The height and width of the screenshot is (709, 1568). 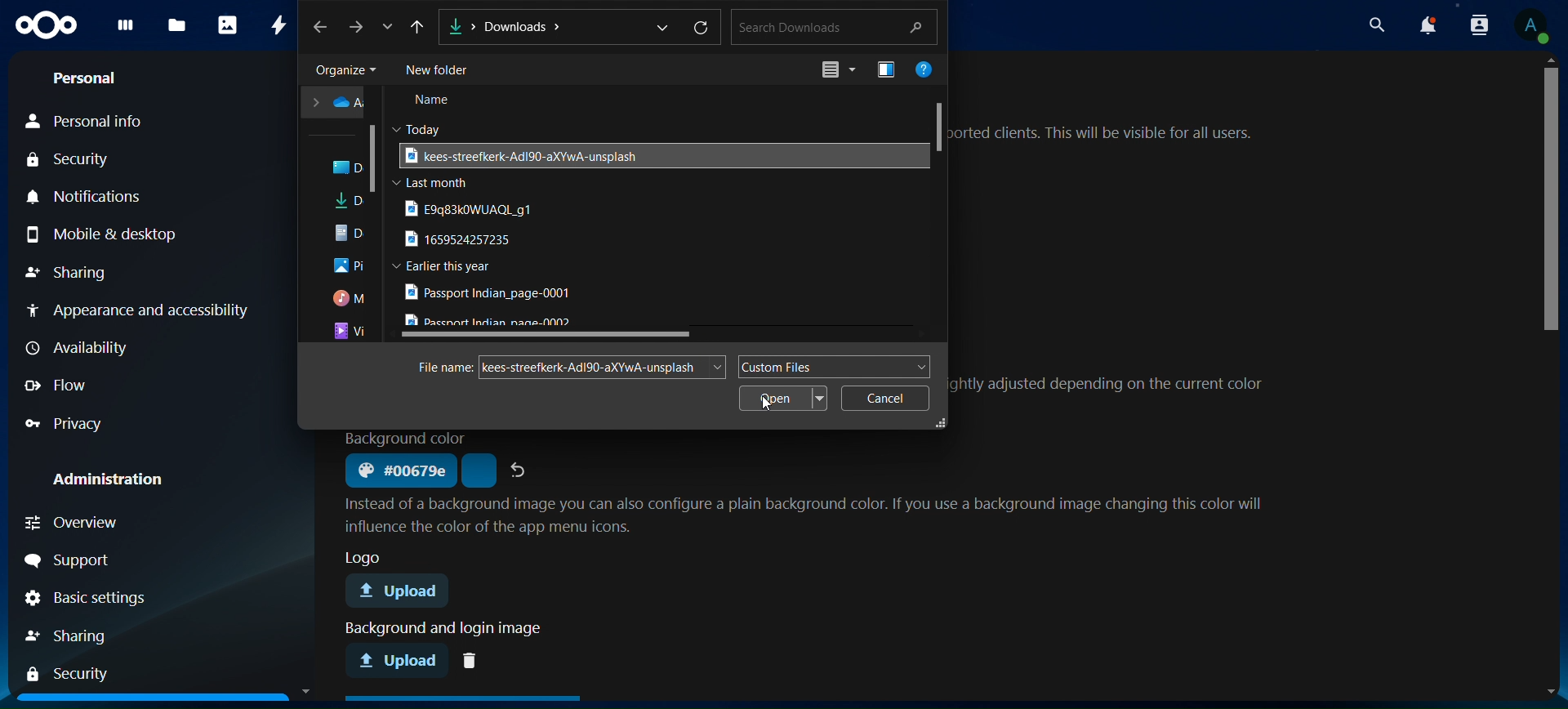 I want to click on support, so click(x=109, y=561).